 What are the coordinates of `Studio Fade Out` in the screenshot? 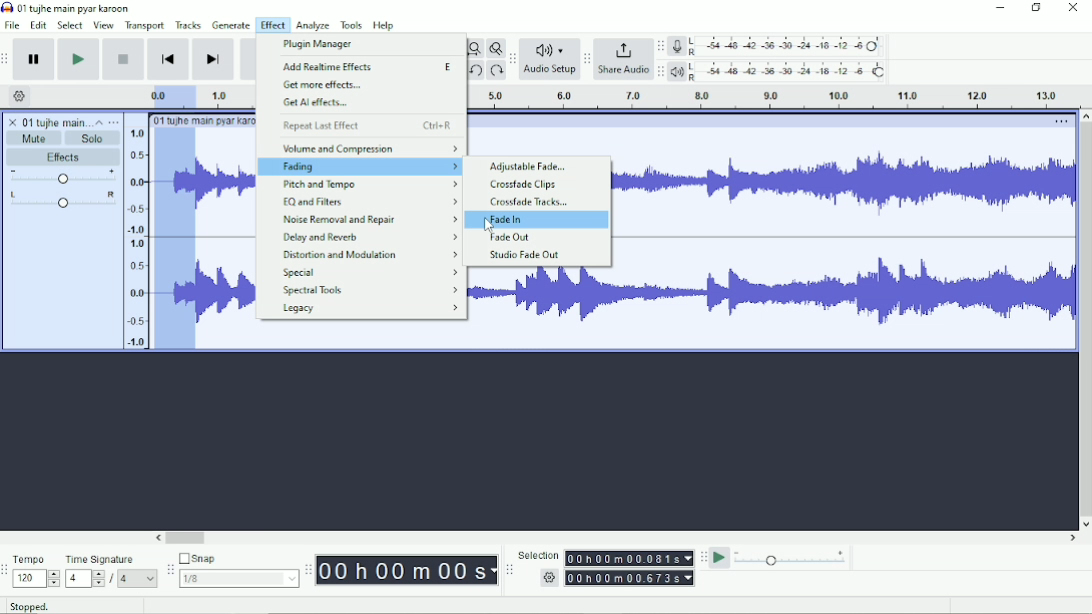 It's located at (525, 255).